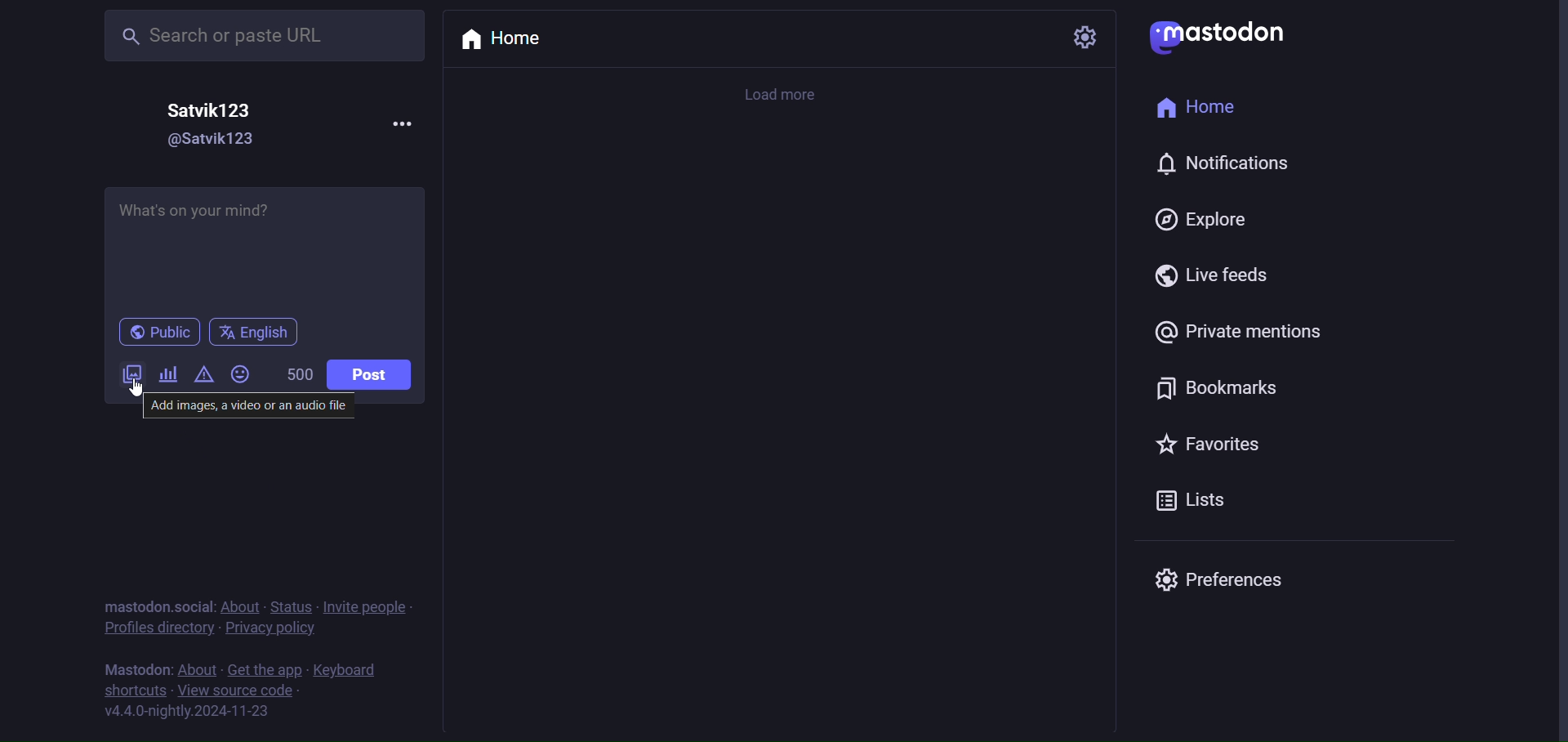 The height and width of the screenshot is (742, 1568). What do you see at coordinates (368, 376) in the screenshot?
I see `post` at bounding box center [368, 376].